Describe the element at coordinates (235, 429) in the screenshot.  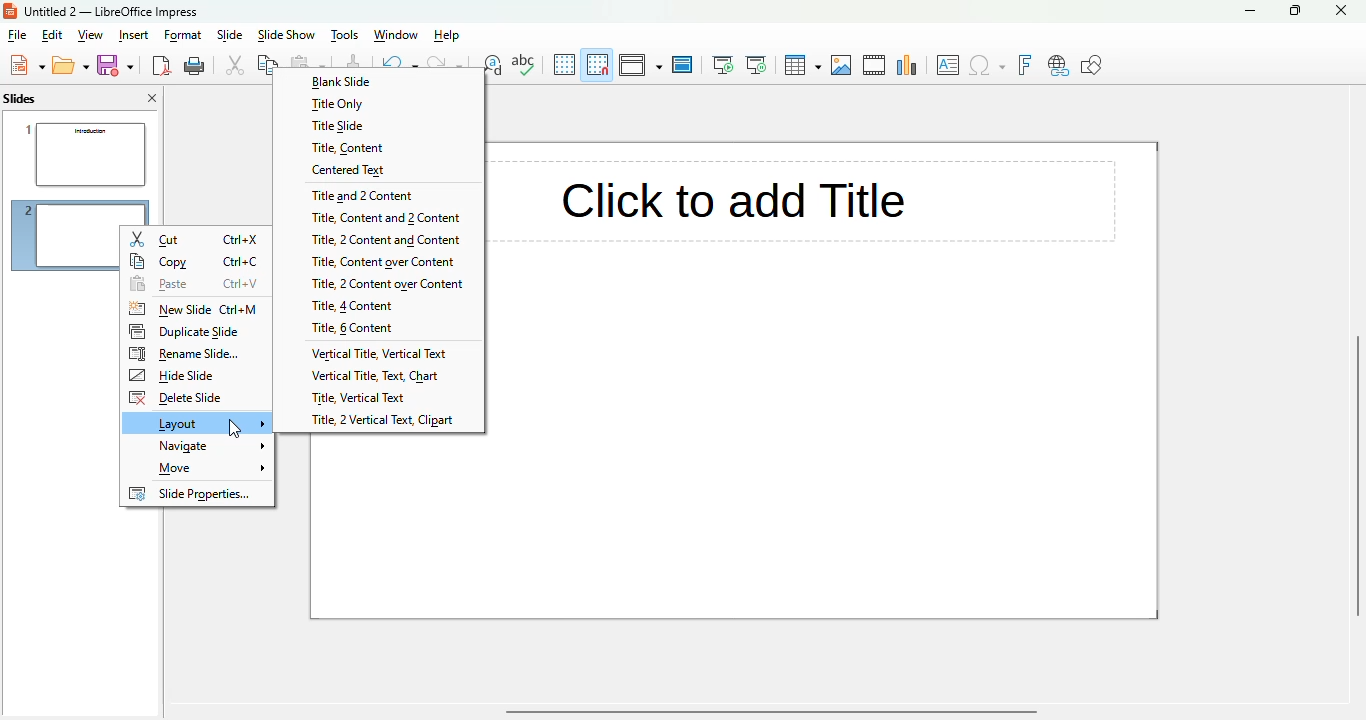
I see `cursor` at that location.